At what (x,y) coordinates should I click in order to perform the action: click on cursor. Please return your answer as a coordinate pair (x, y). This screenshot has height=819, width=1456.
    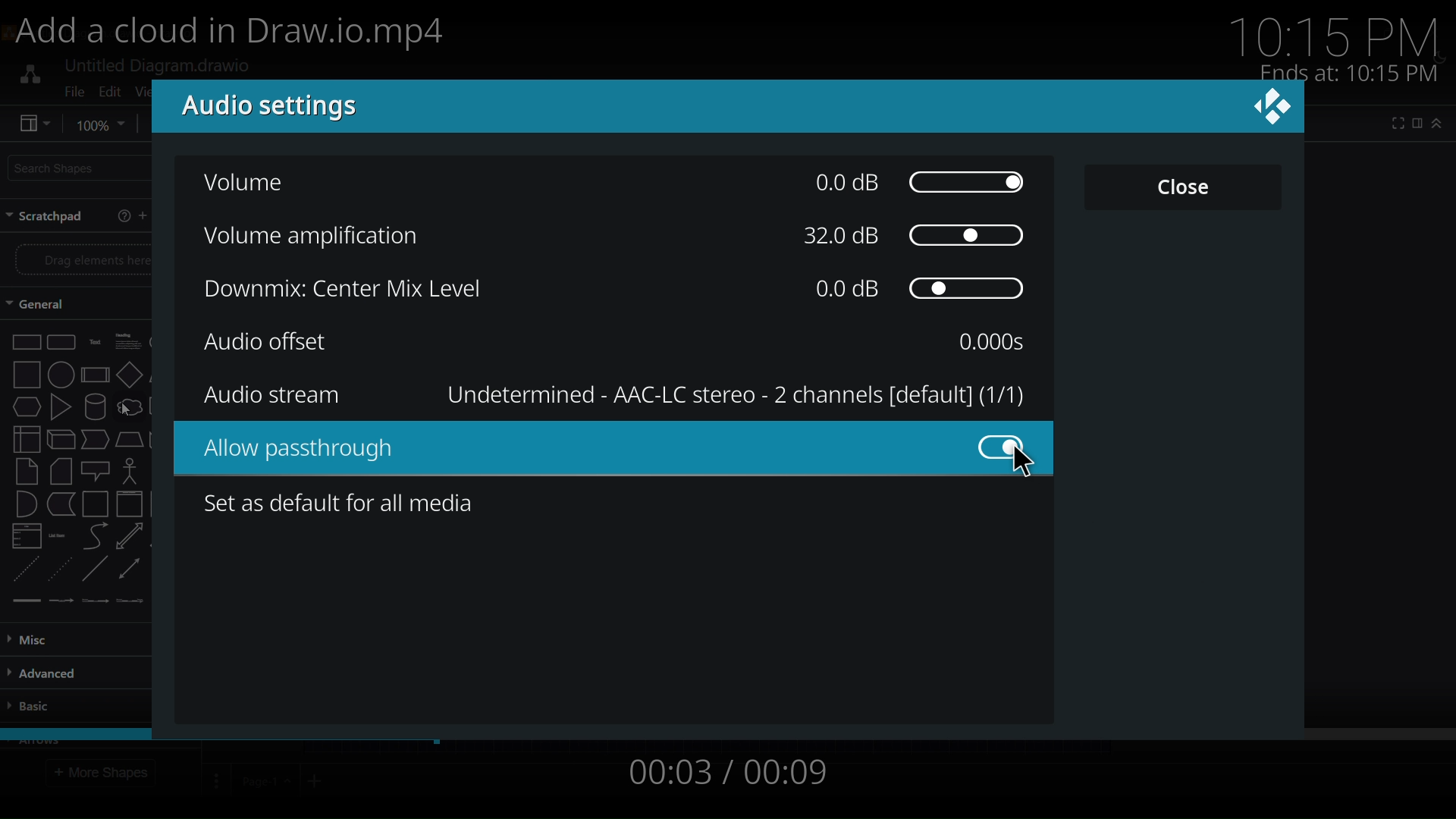
    Looking at the image, I should click on (1028, 466).